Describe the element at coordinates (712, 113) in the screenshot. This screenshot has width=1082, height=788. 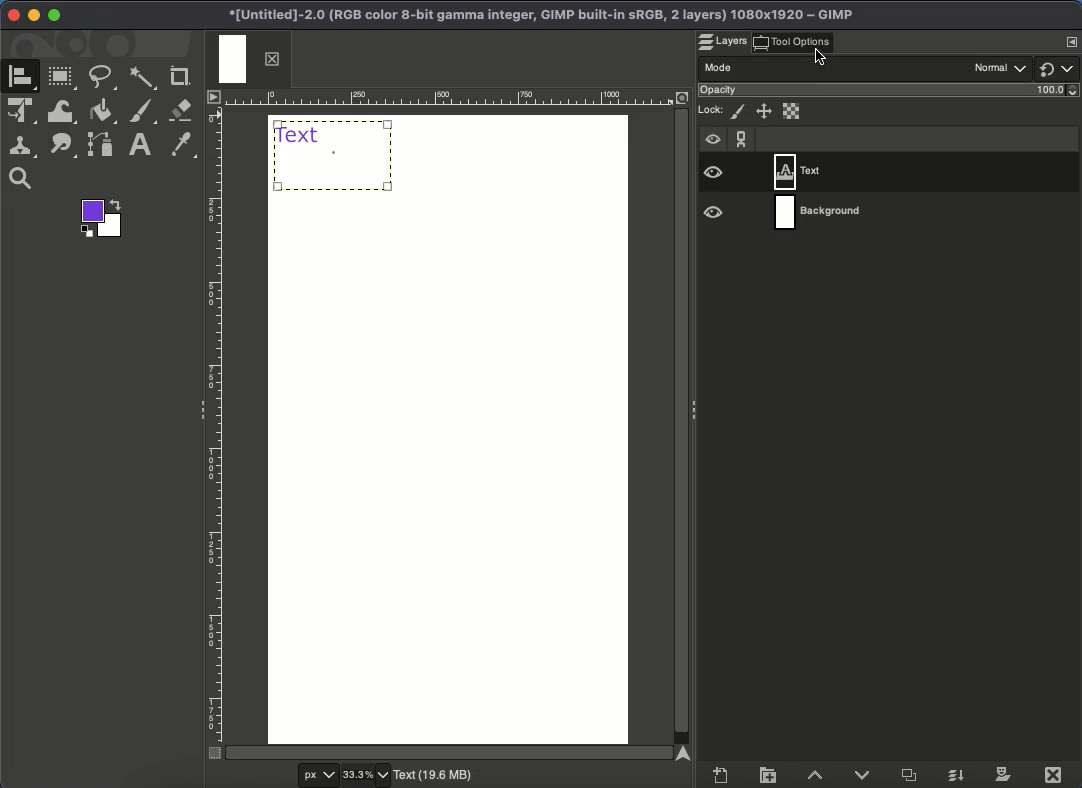
I see `Lock` at that location.